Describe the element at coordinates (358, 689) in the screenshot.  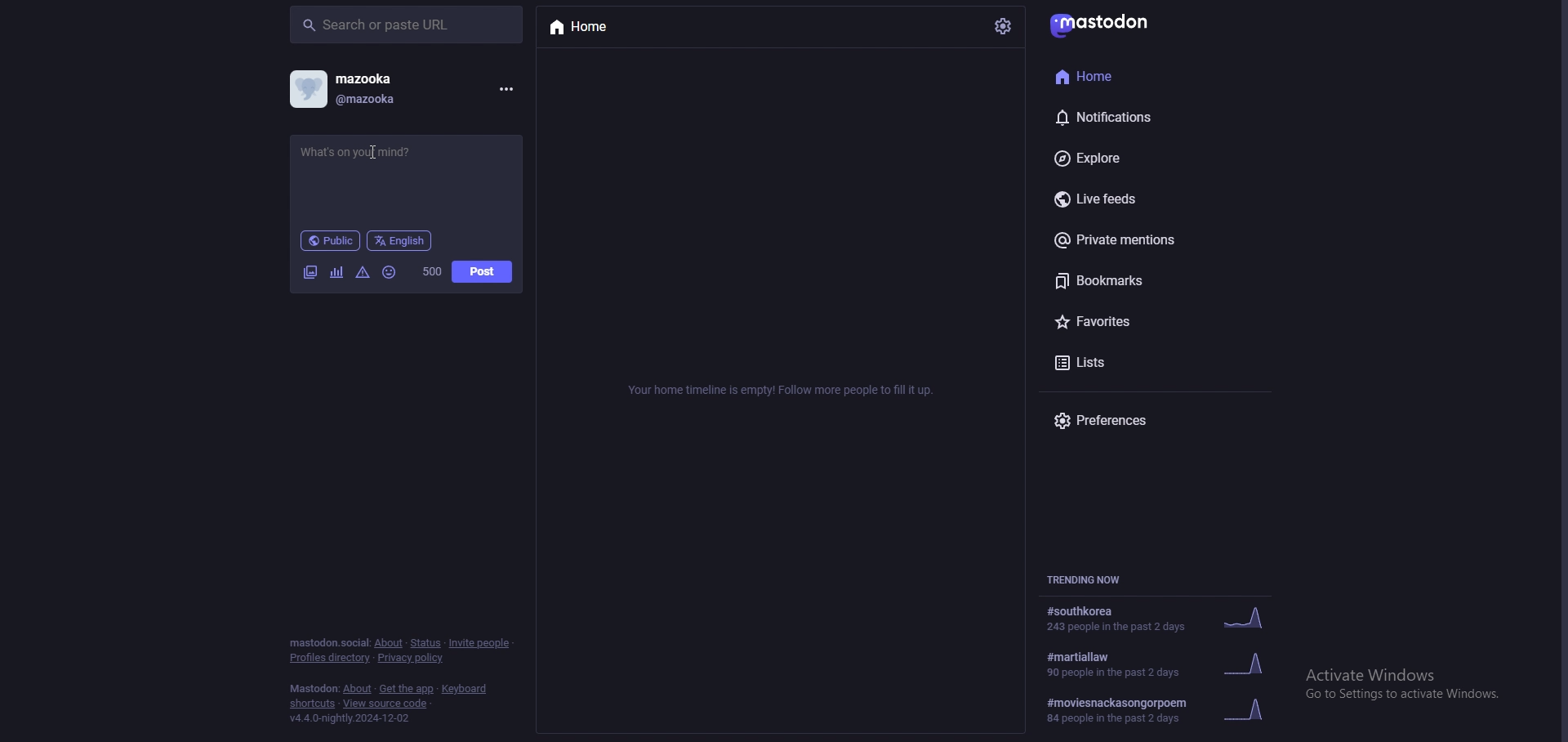
I see `about` at that location.